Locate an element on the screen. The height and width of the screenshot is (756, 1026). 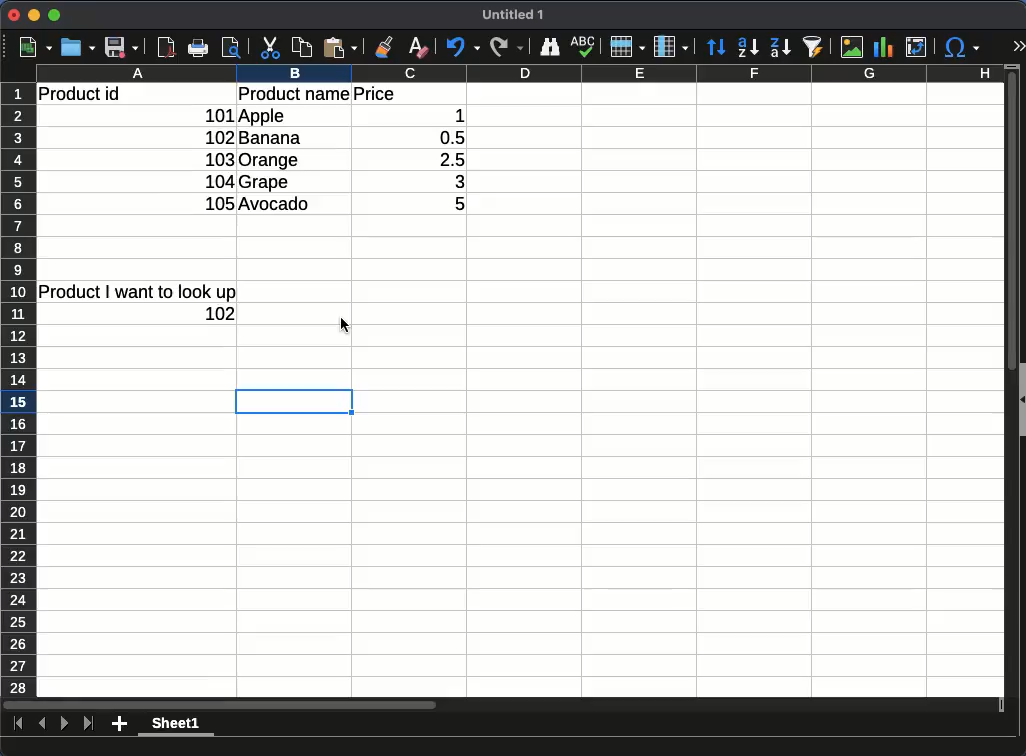
apple is located at coordinates (263, 116).